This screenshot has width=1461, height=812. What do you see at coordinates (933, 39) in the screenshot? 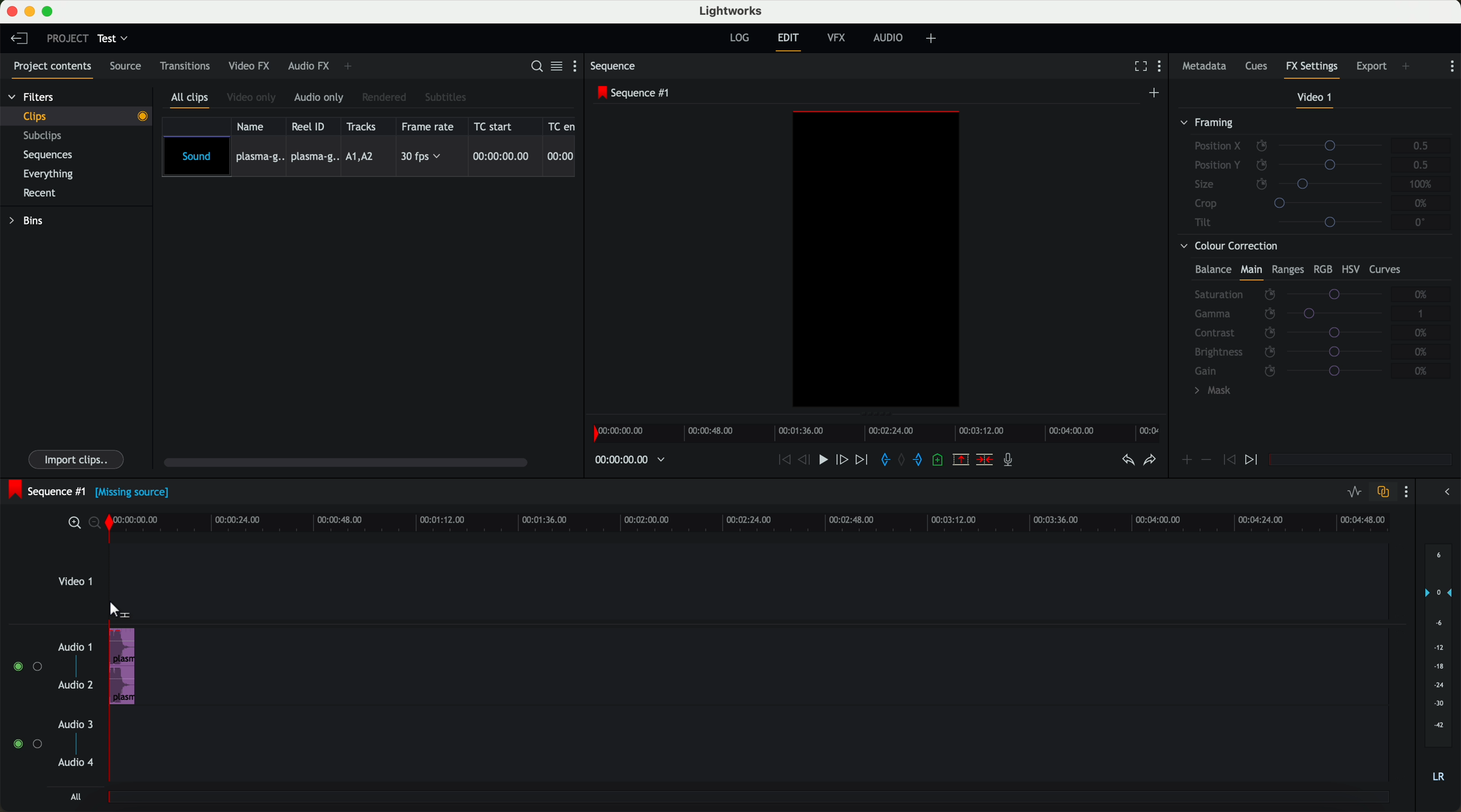
I see `add` at bounding box center [933, 39].